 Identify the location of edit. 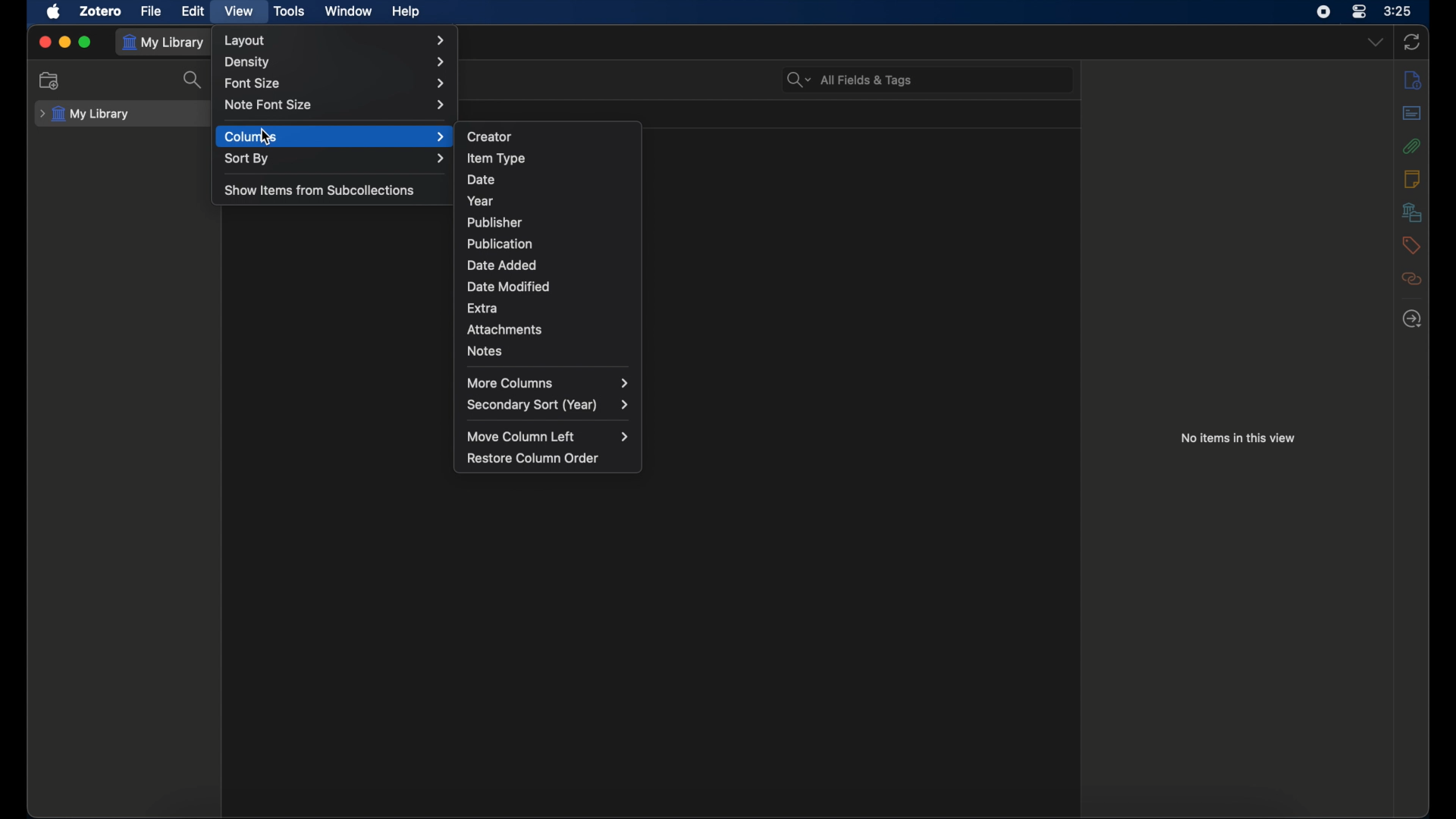
(192, 12).